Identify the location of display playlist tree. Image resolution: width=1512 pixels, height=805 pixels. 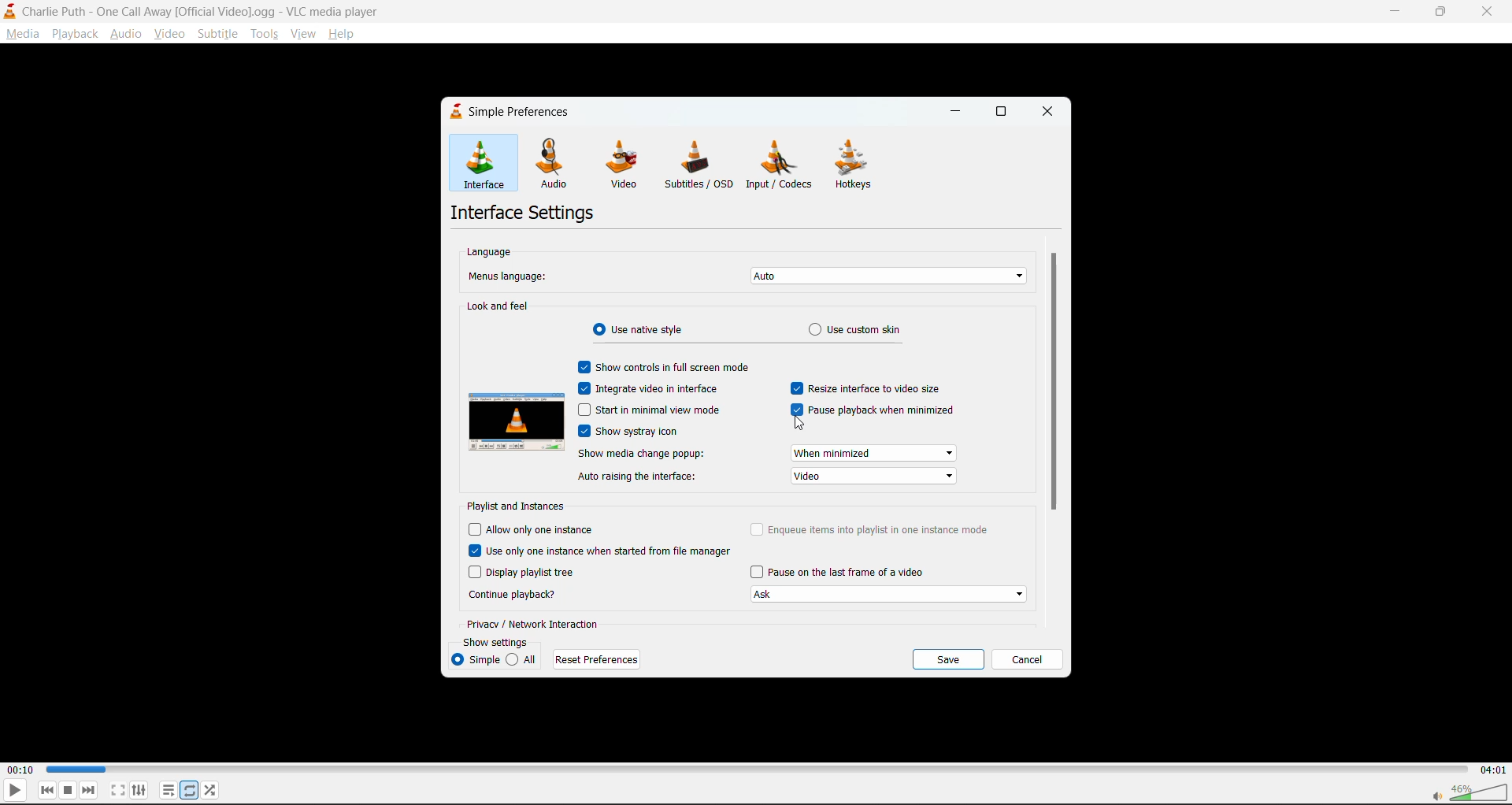
(532, 573).